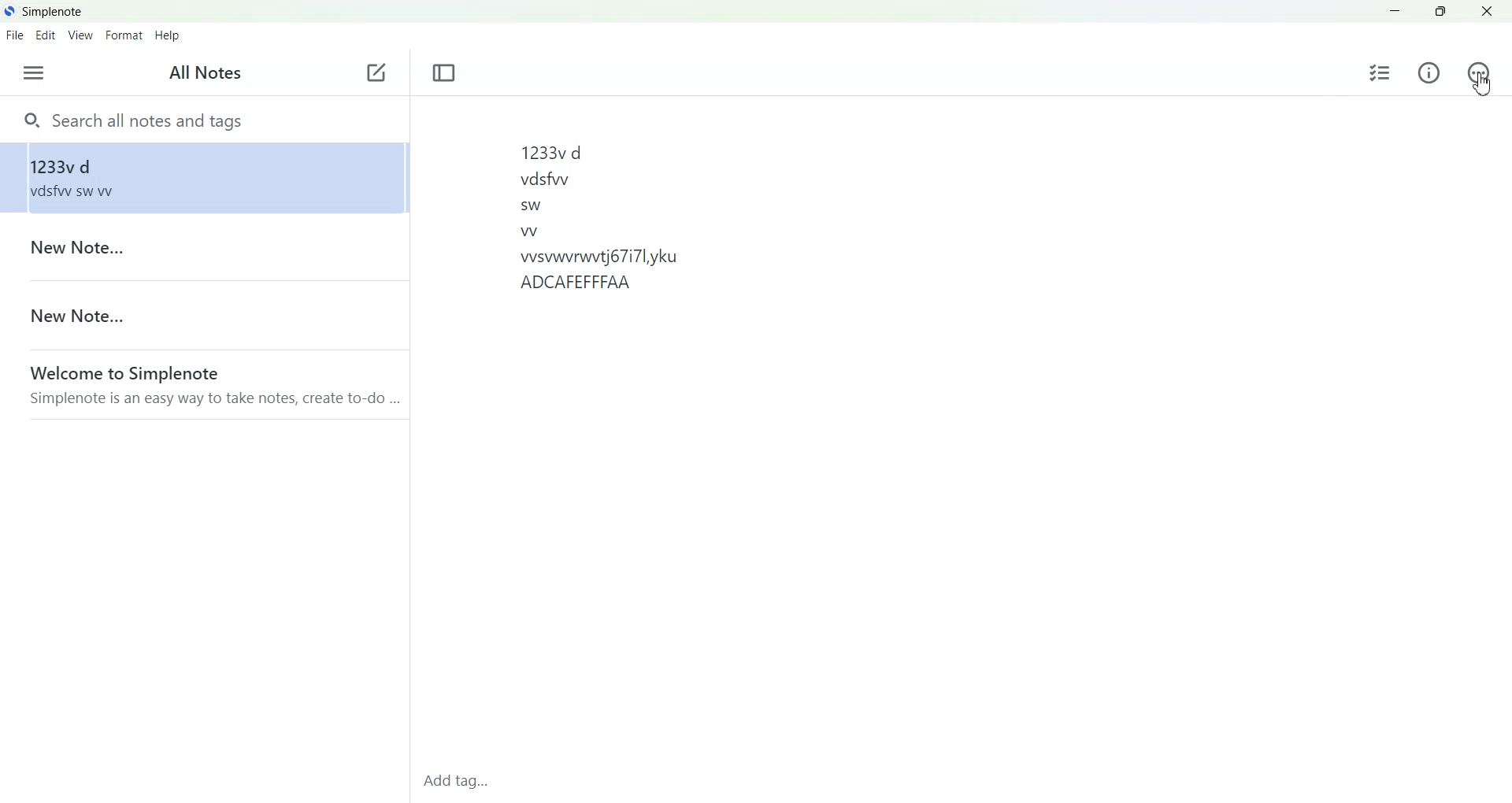  What do you see at coordinates (1440, 12) in the screenshot?
I see `Maximize` at bounding box center [1440, 12].